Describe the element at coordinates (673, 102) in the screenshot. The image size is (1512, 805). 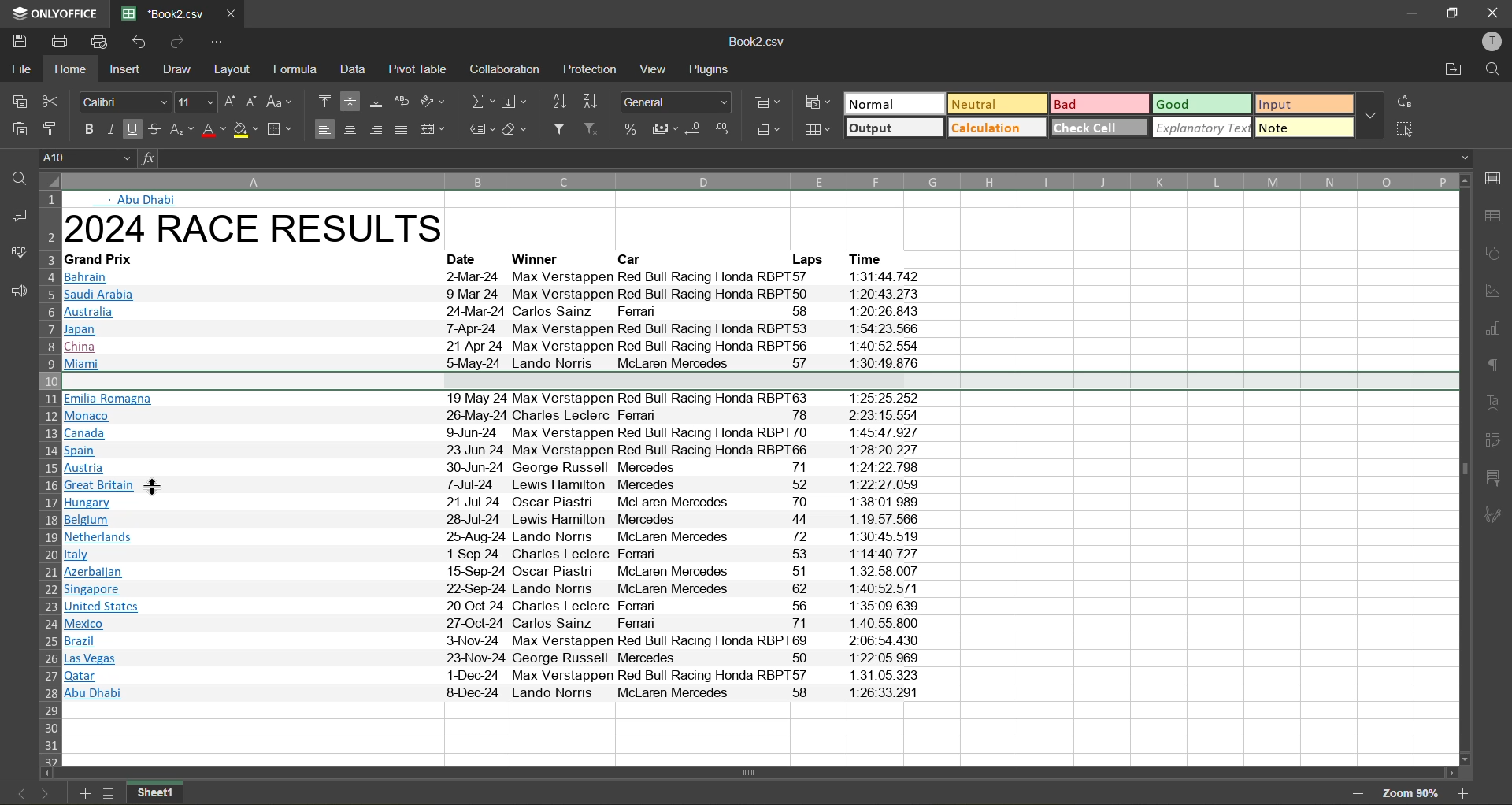
I see `number format` at that location.